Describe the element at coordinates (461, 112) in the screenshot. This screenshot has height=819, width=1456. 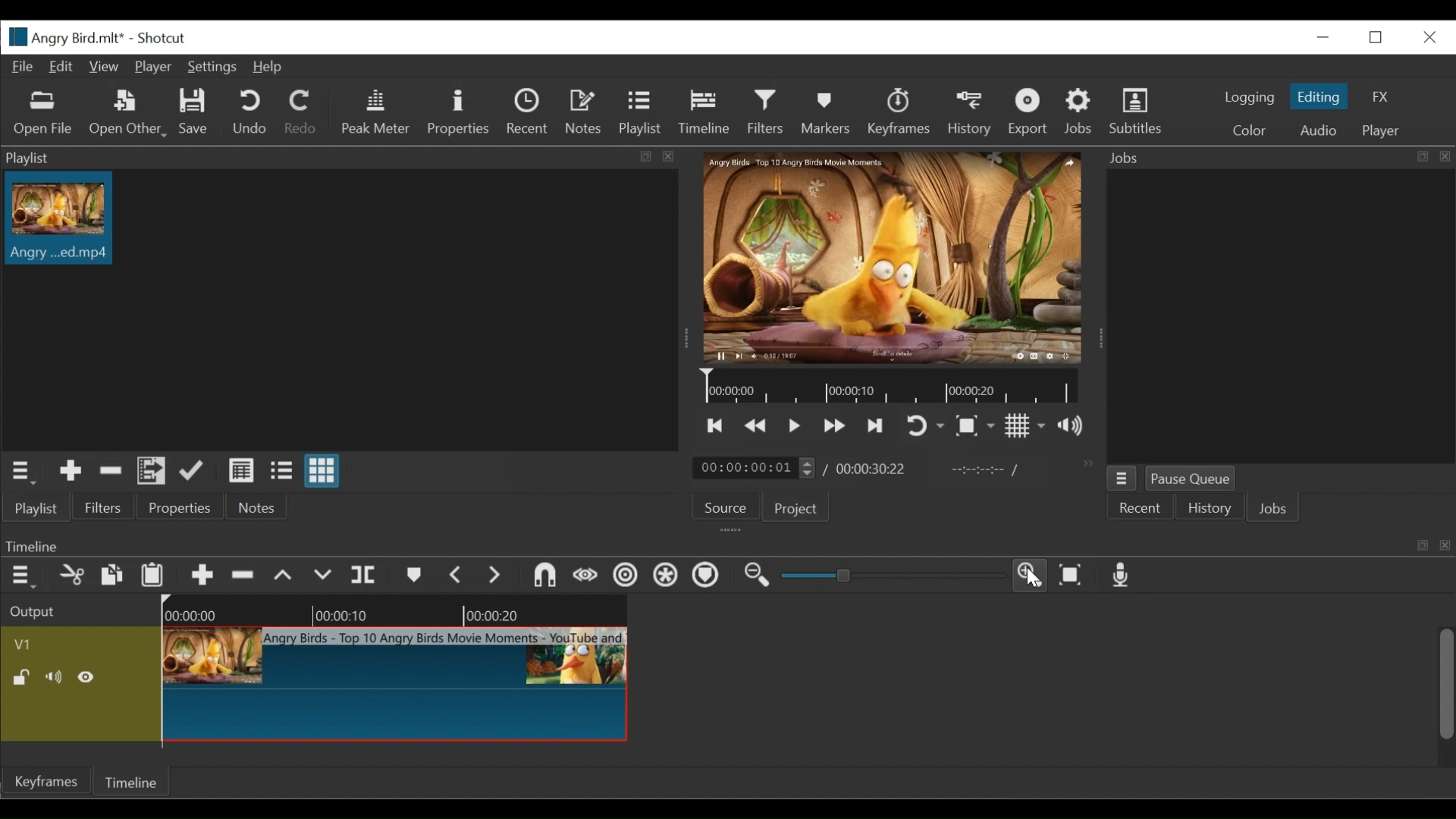
I see `Properties` at that location.